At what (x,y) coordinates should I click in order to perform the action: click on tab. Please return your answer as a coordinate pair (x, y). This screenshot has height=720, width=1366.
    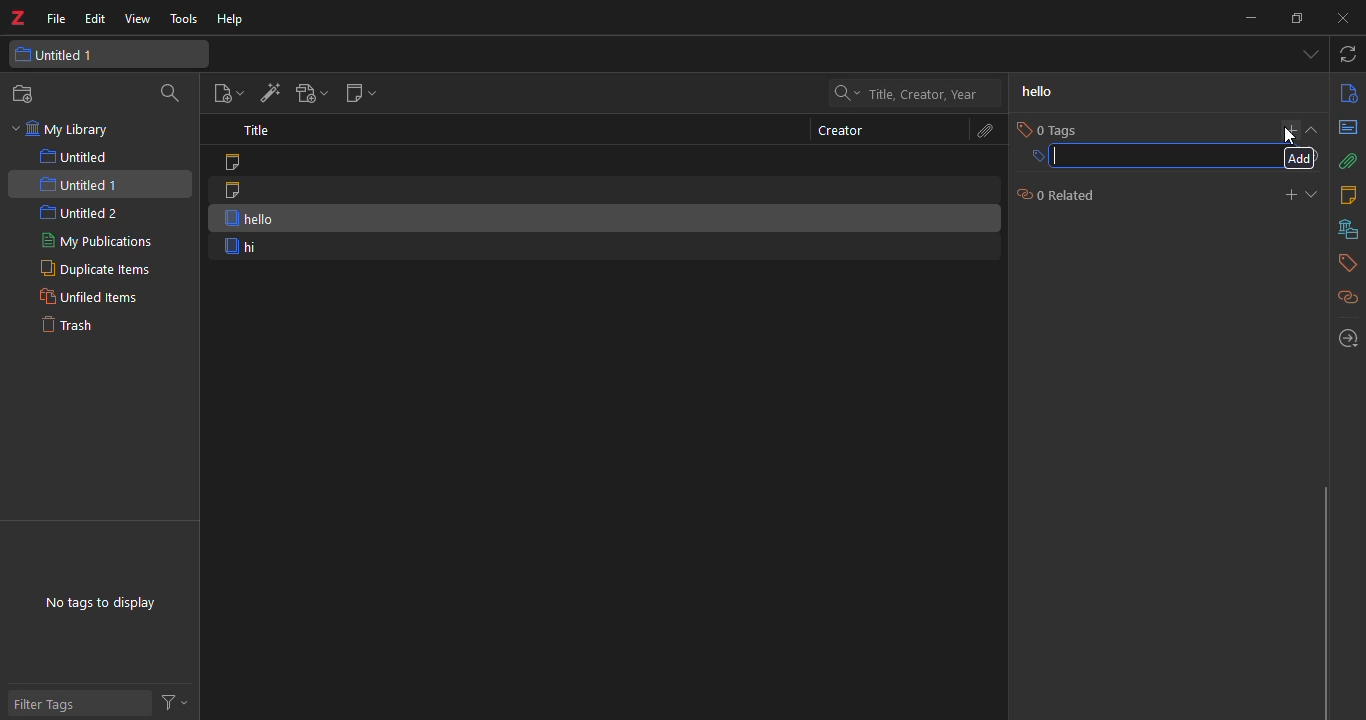
    Looking at the image, I should click on (1306, 56).